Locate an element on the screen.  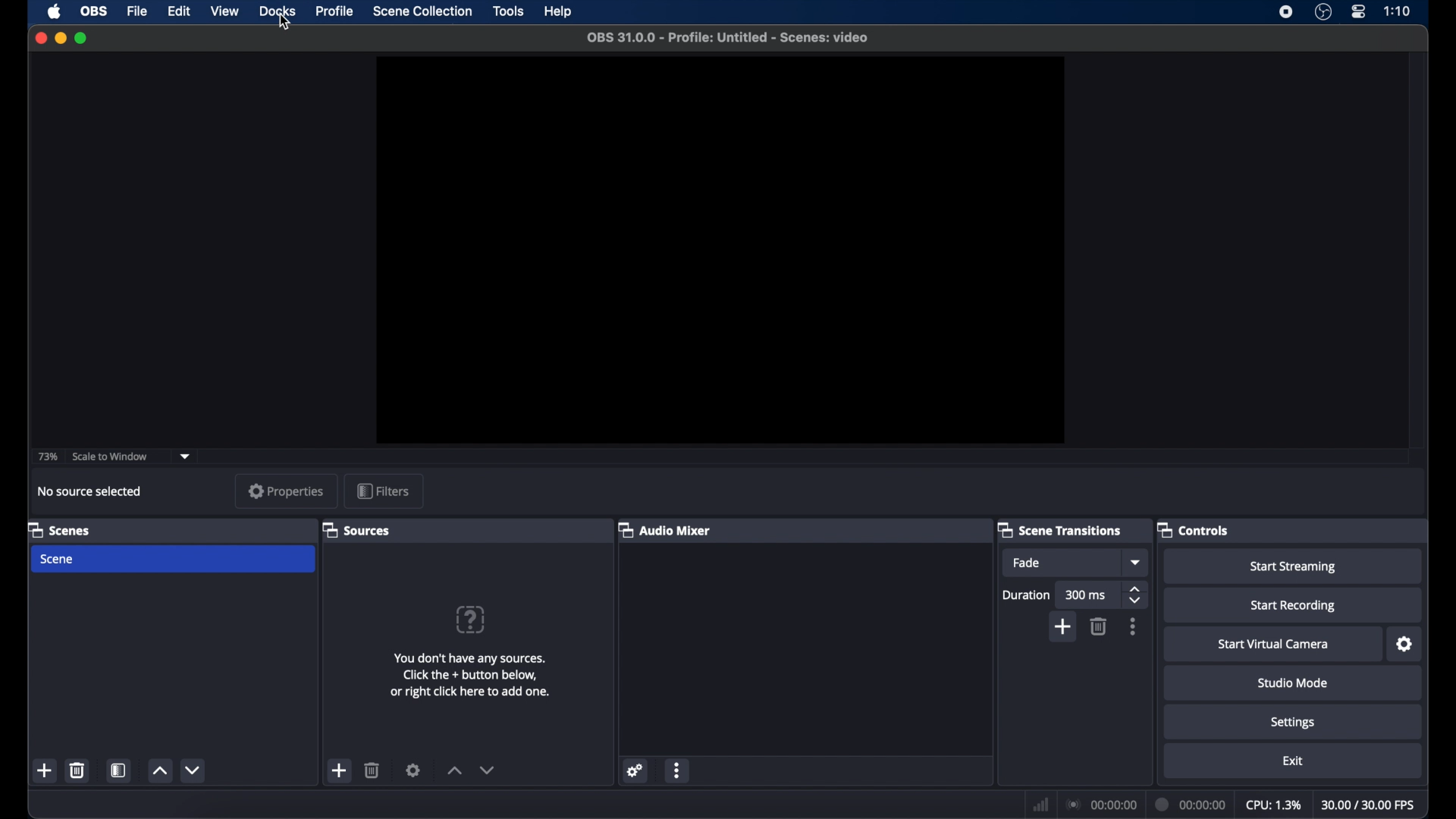
control center is located at coordinates (1357, 12).